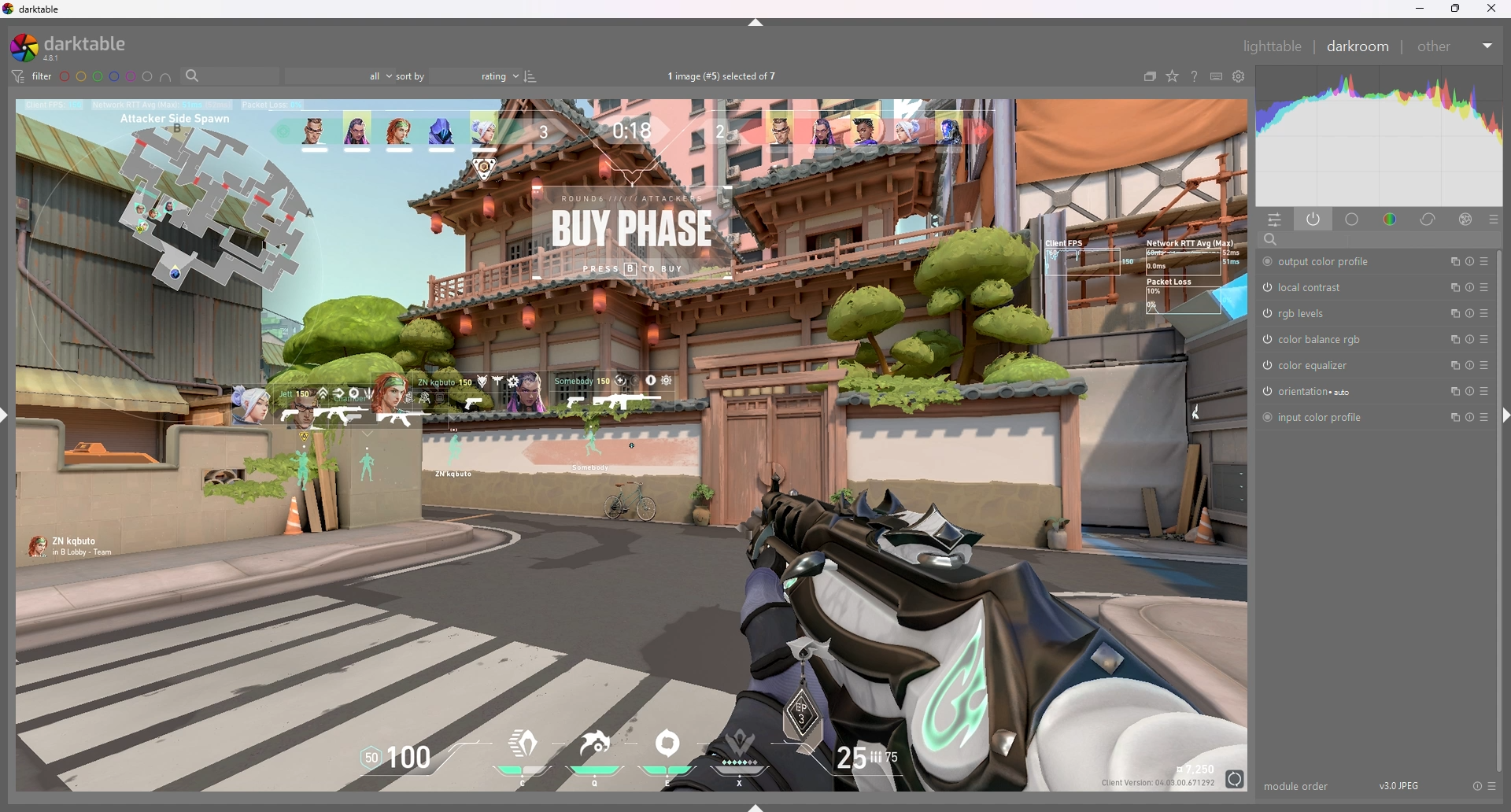 The image size is (1511, 812). Describe the element at coordinates (1471, 365) in the screenshot. I see `reset` at that location.